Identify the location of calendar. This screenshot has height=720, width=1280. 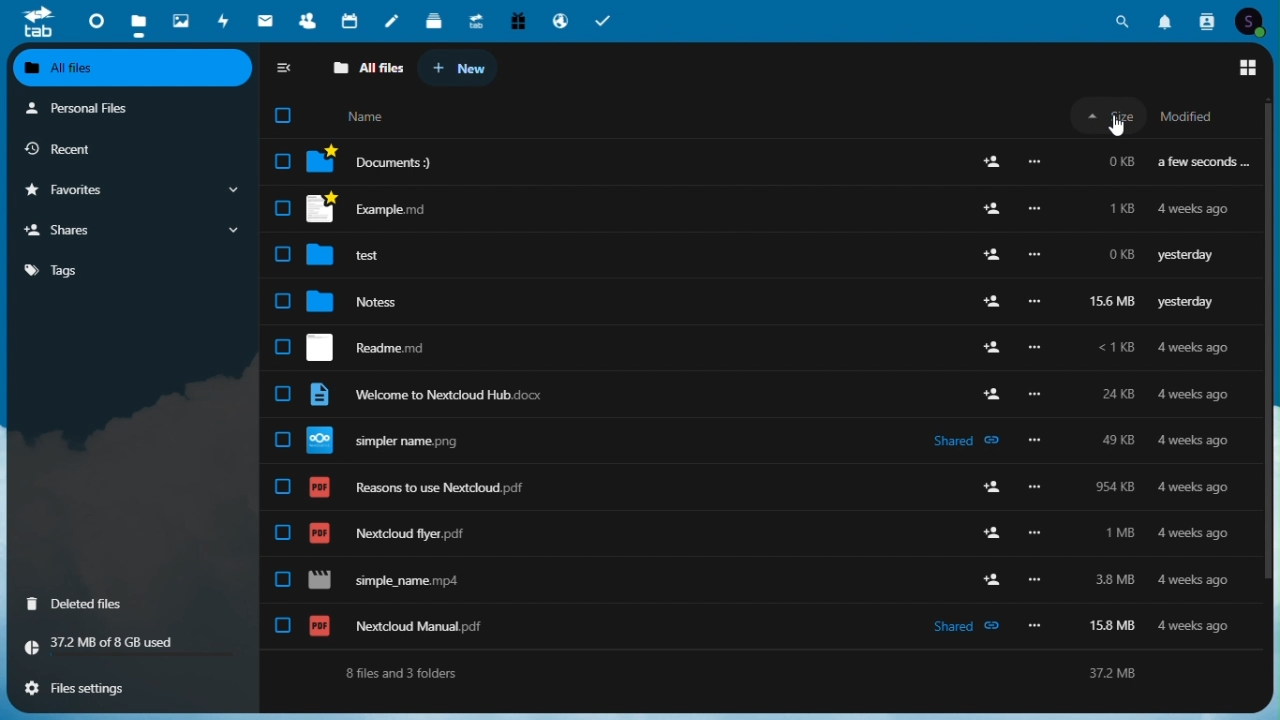
(352, 20).